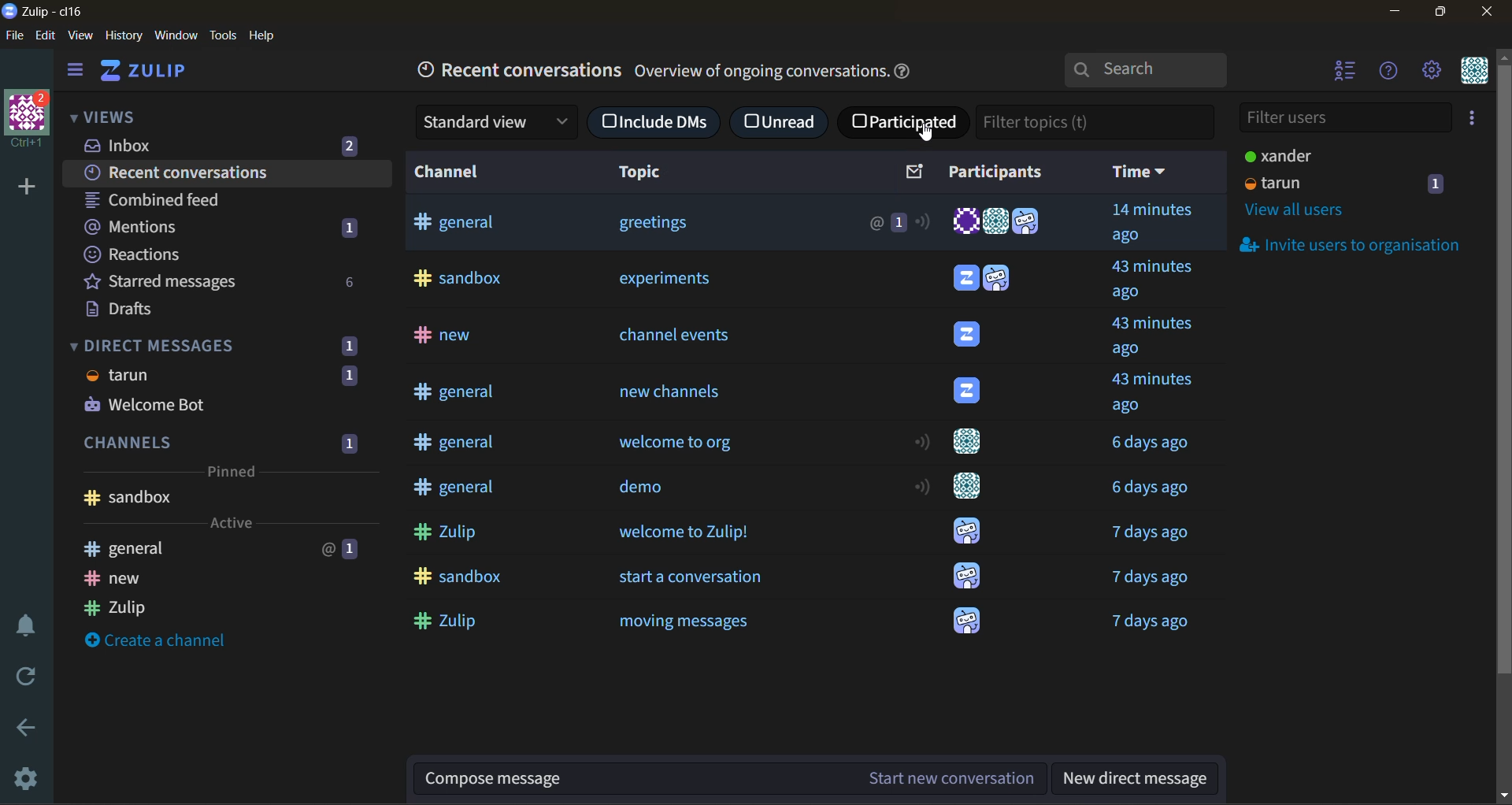 Image resolution: width=1512 pixels, height=805 pixels. Describe the element at coordinates (908, 121) in the screenshot. I see `participated` at that location.